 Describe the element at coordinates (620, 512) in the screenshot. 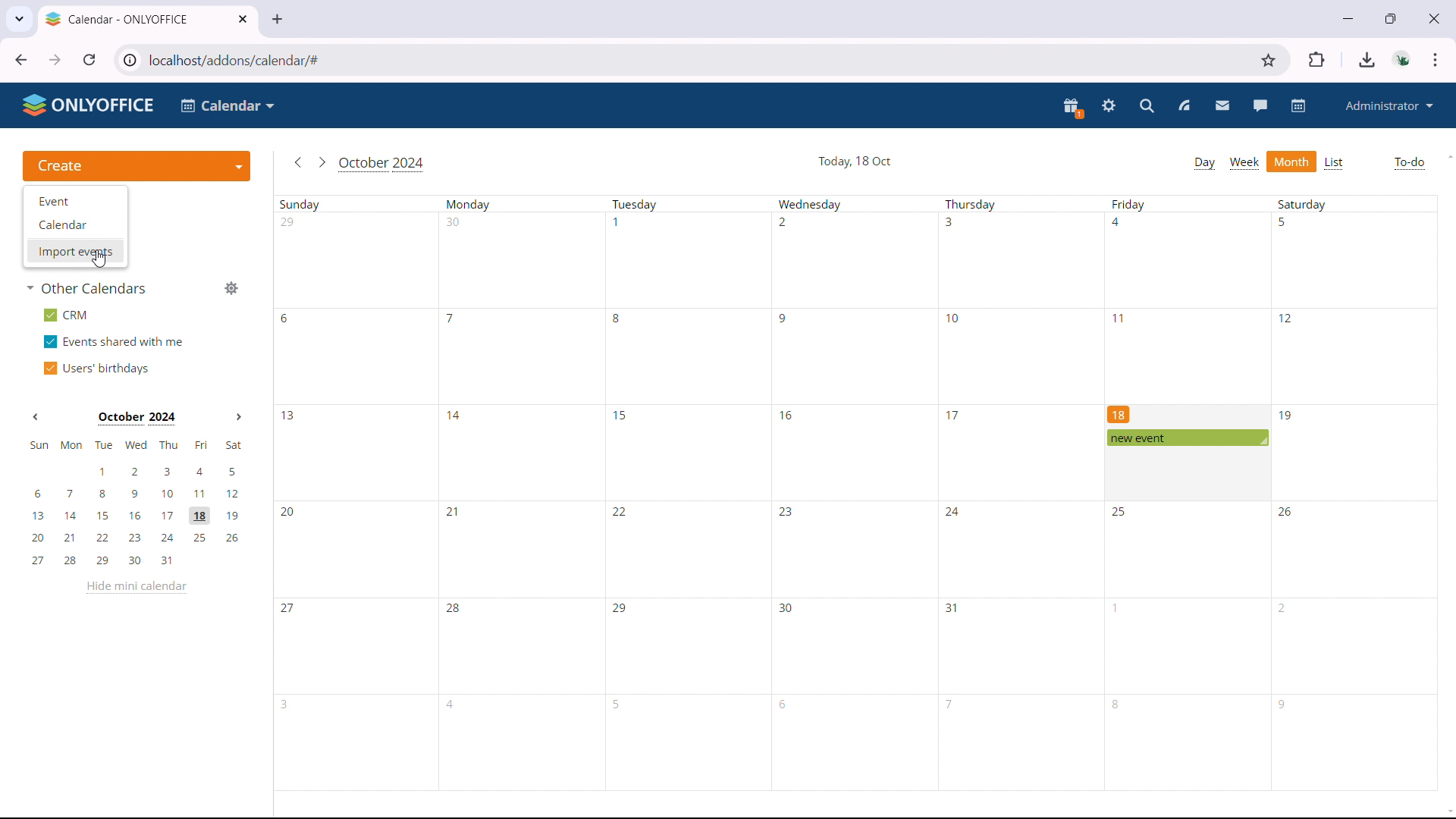

I see `22` at that location.